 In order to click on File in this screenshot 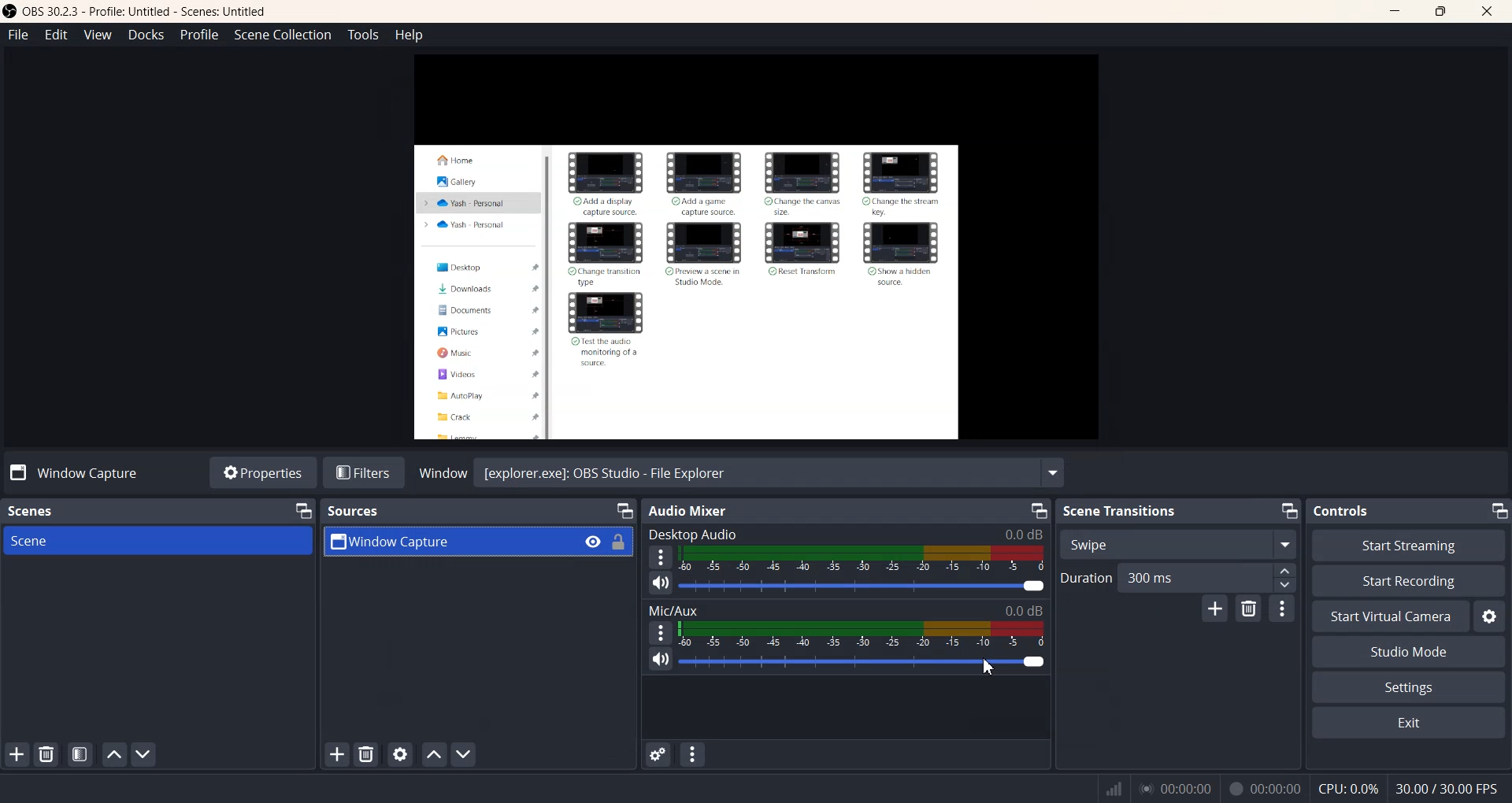, I will do `click(18, 35)`.